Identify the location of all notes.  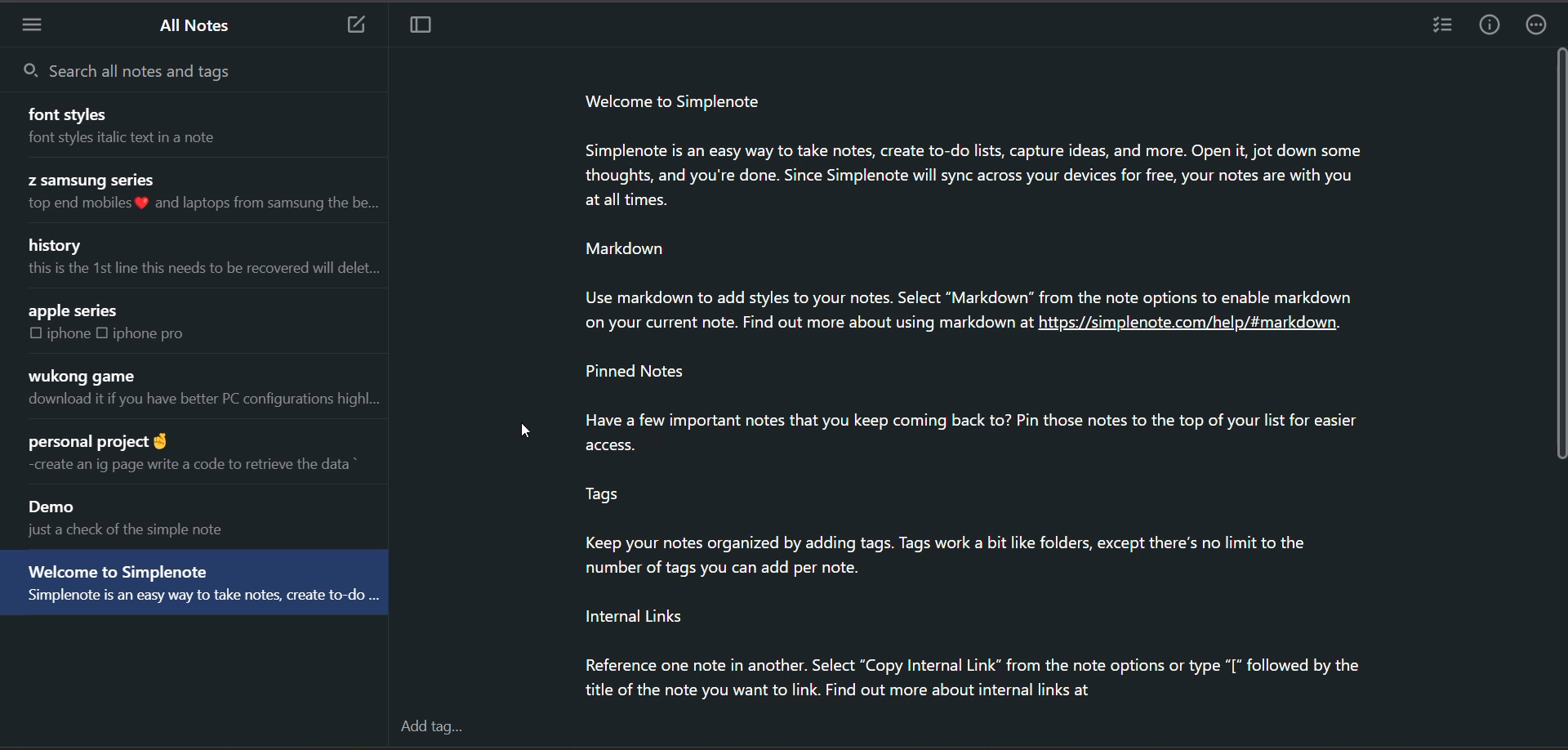
(197, 27).